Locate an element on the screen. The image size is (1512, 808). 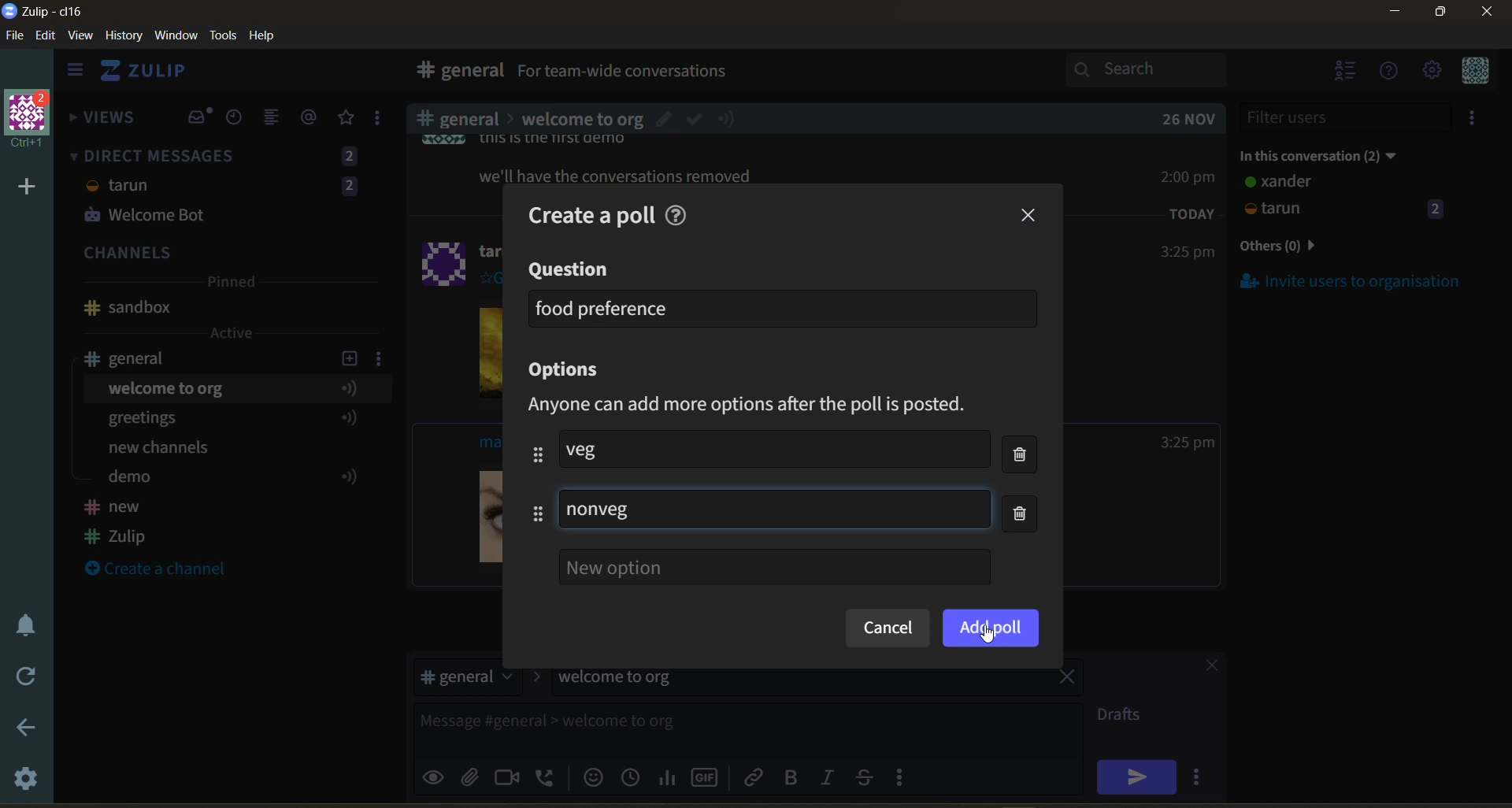
cursor is located at coordinates (988, 636).